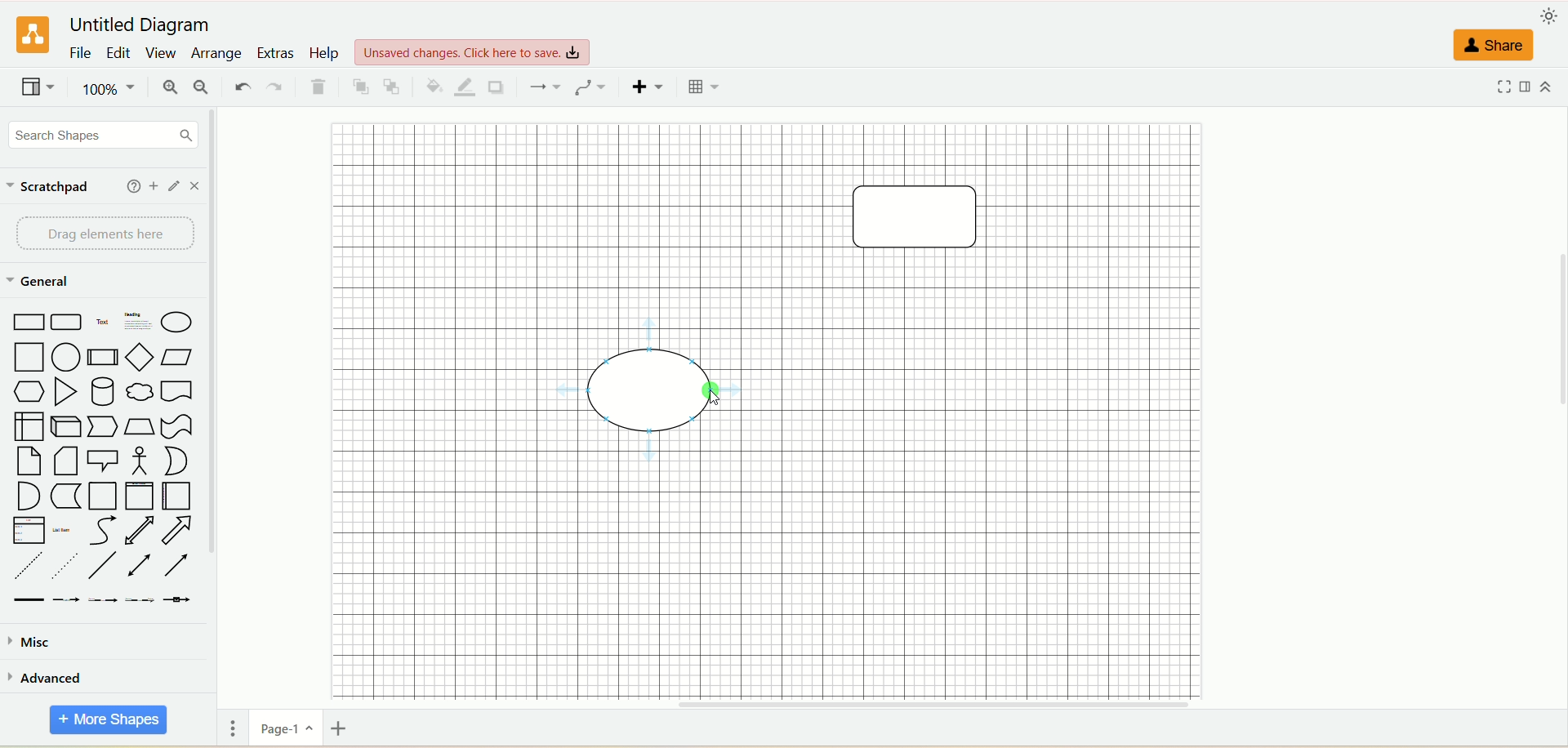 The height and width of the screenshot is (748, 1568). What do you see at coordinates (325, 53) in the screenshot?
I see `help` at bounding box center [325, 53].